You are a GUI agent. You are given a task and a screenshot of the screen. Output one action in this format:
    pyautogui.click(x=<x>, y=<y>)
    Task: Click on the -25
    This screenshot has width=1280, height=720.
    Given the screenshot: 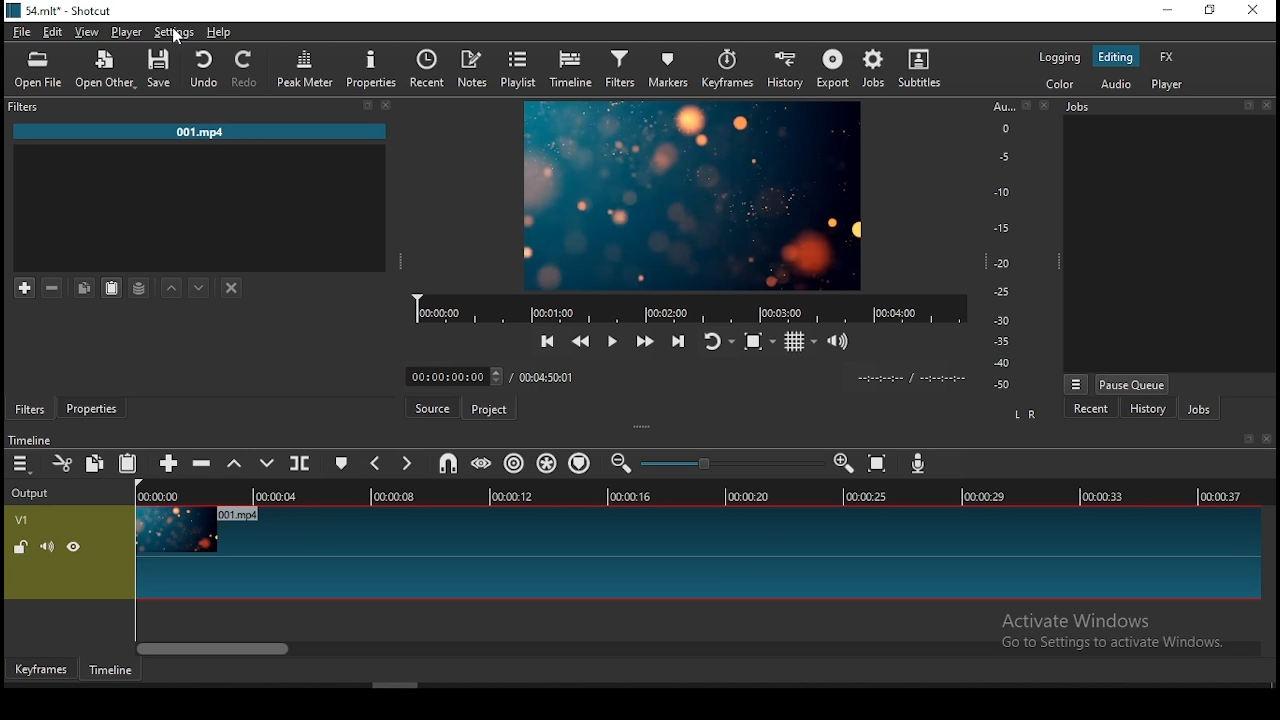 What is the action you would take?
    pyautogui.click(x=1002, y=293)
    